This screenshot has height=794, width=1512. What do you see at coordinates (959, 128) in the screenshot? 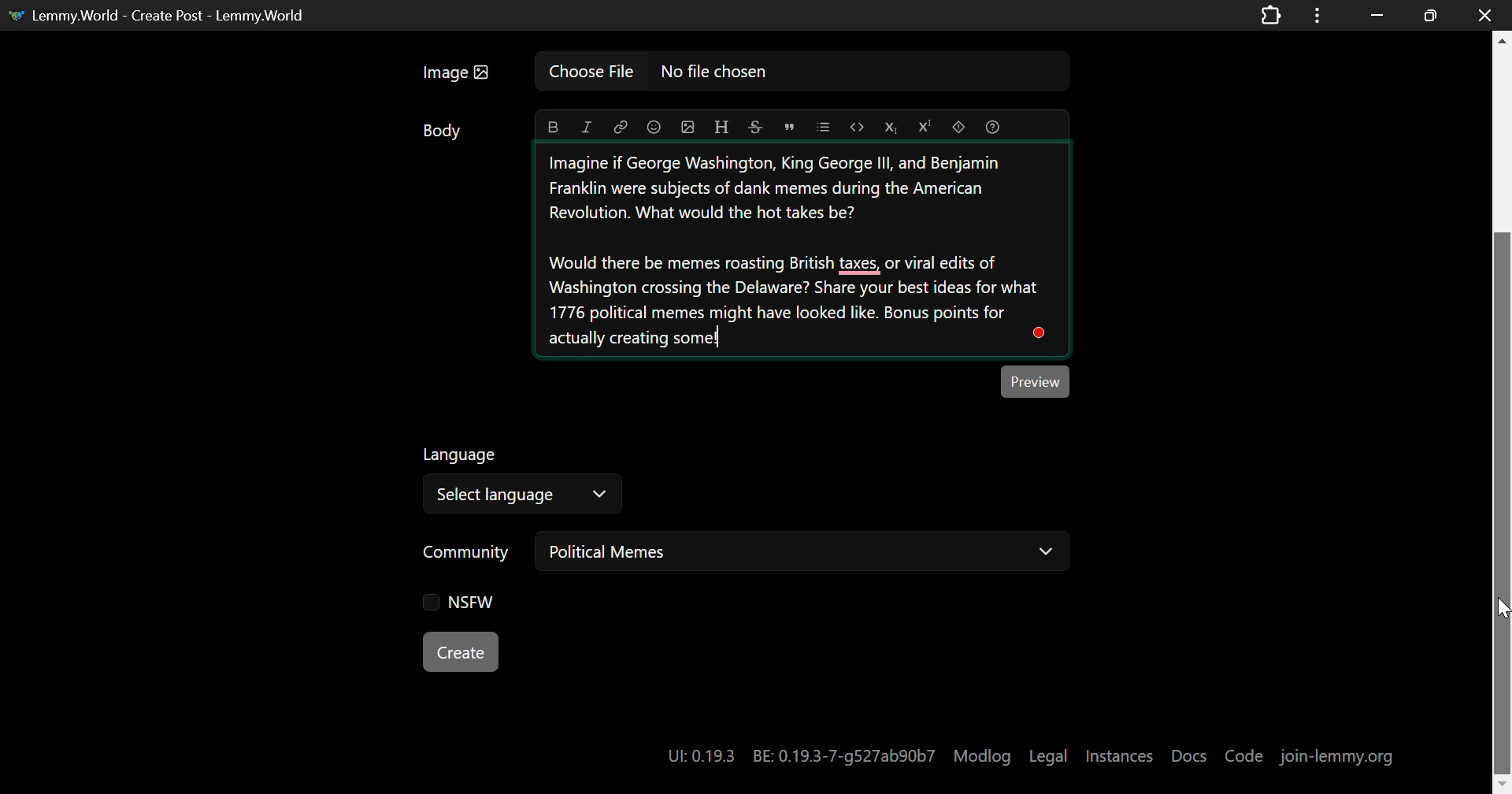
I see `Spoiler` at bounding box center [959, 128].